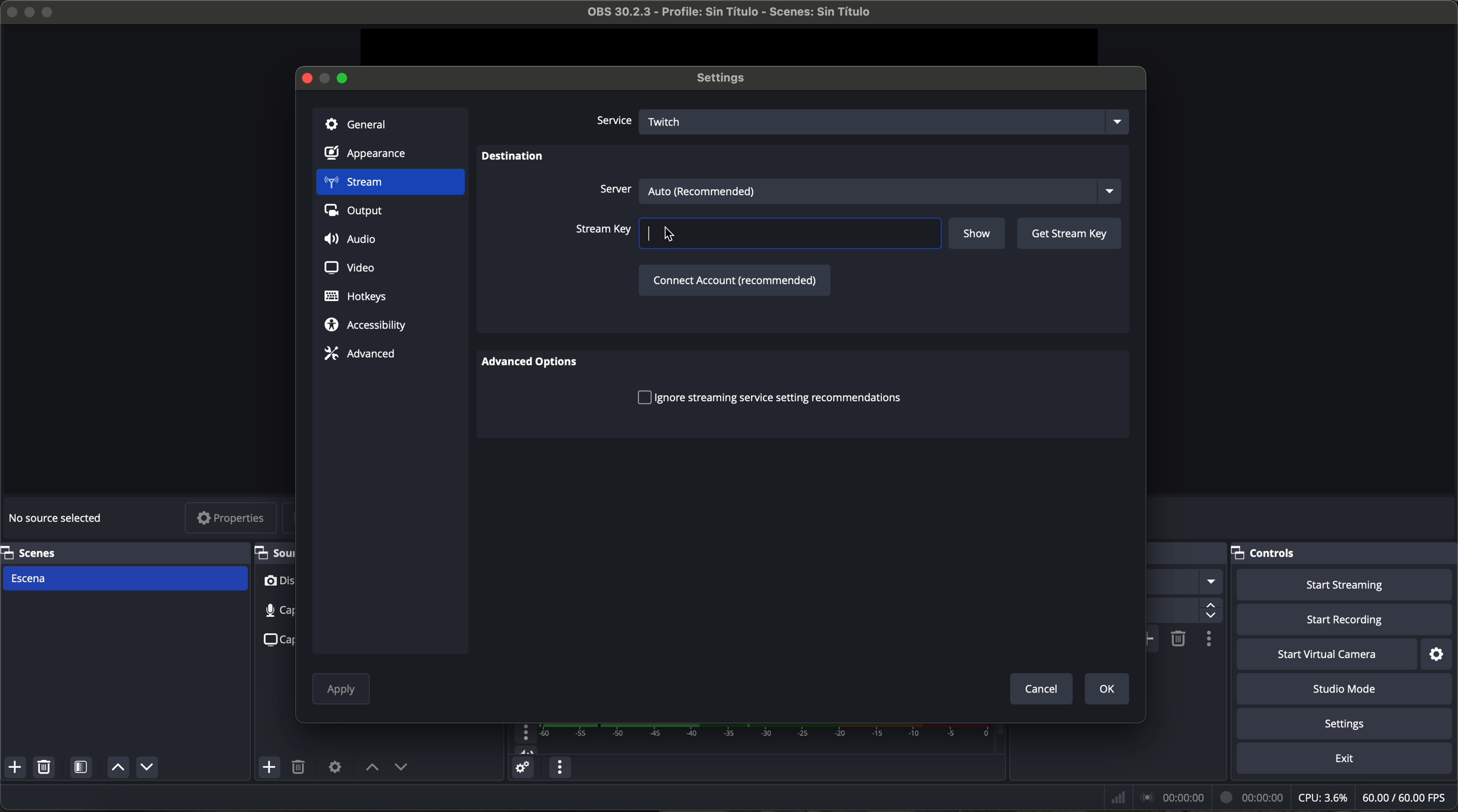  I want to click on remove configurable transition, so click(1179, 638).